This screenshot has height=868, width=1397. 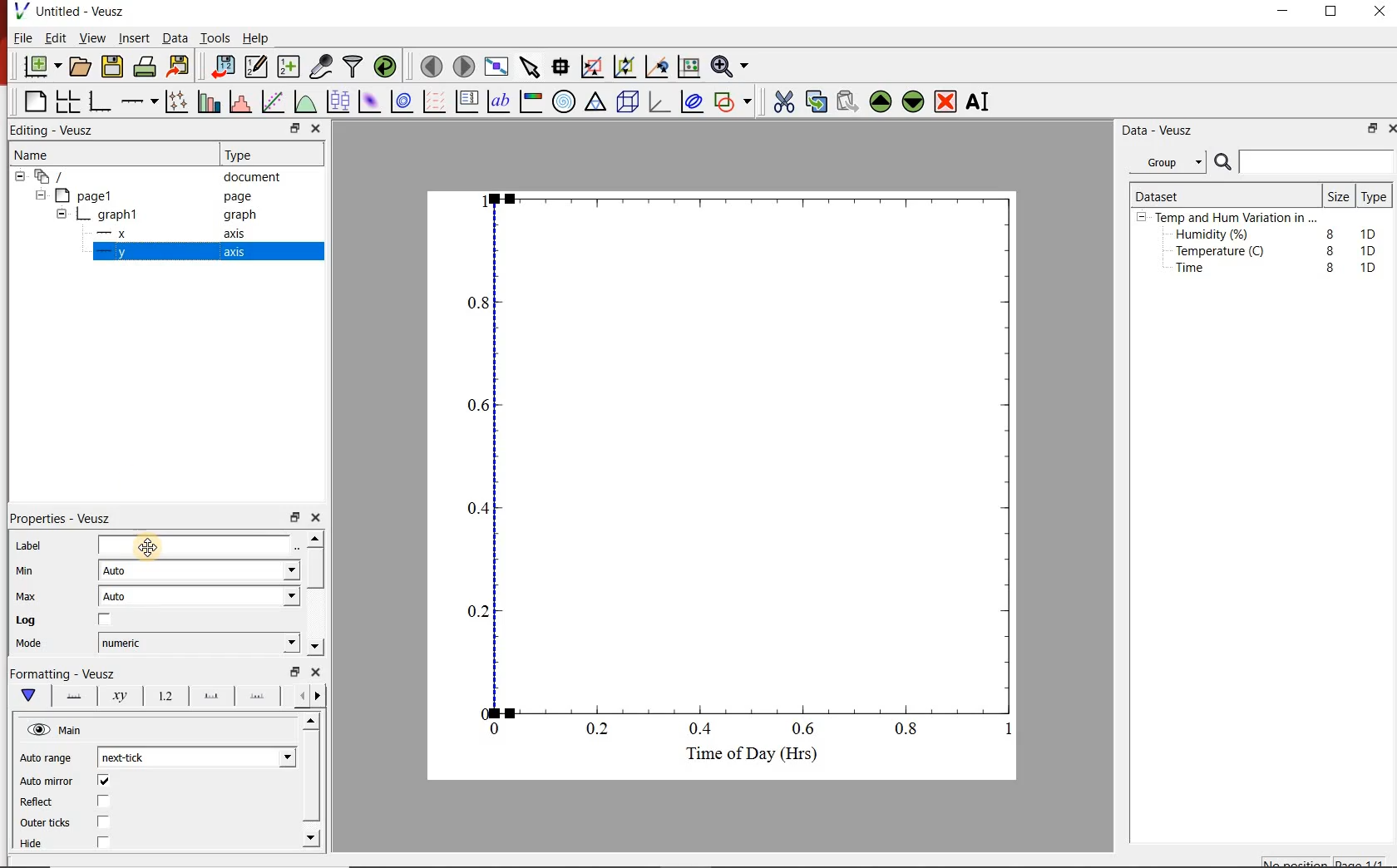 I want to click on View, so click(x=92, y=38).